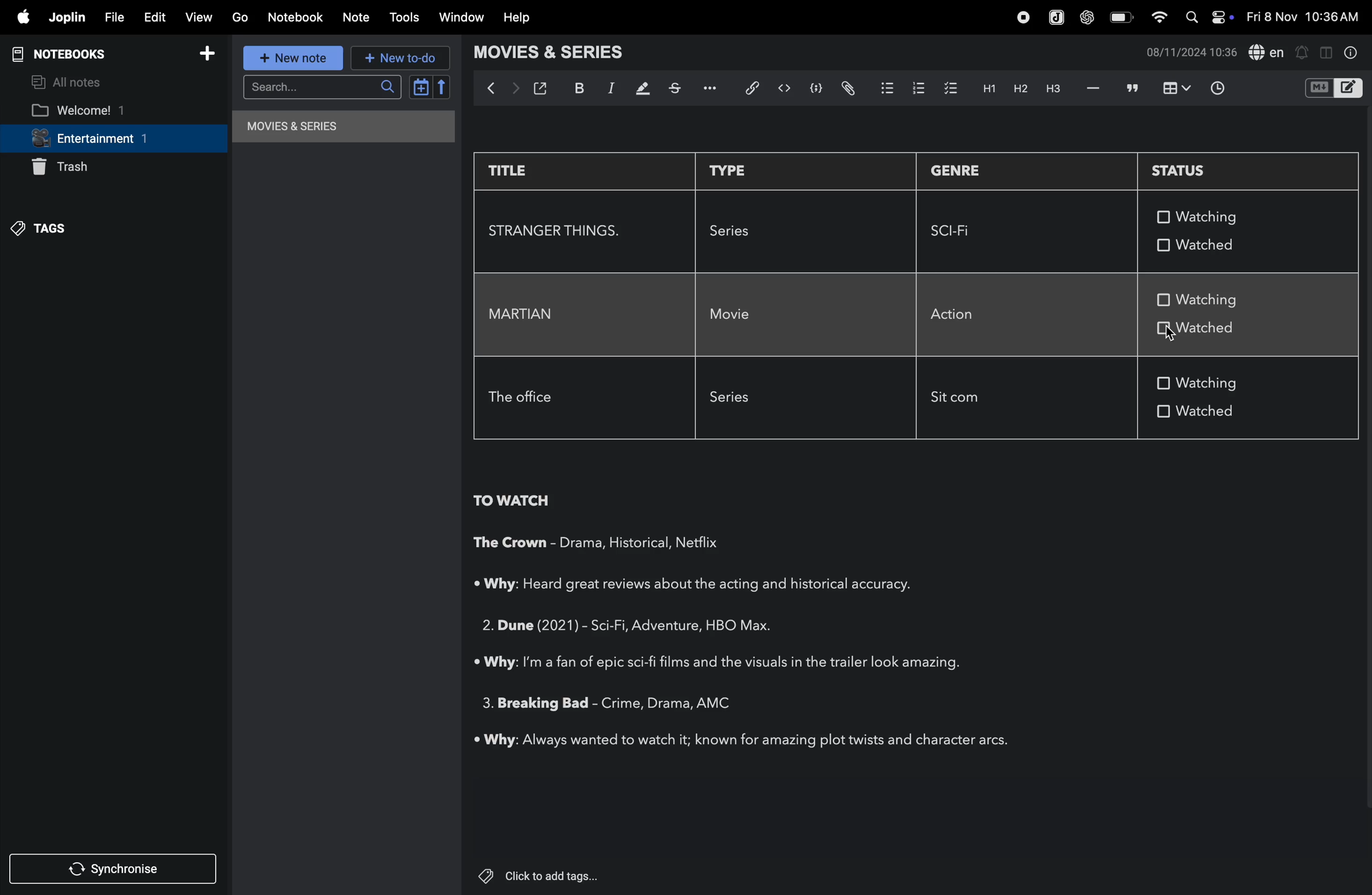 Image resolution: width=1372 pixels, height=895 pixels. Describe the element at coordinates (522, 171) in the screenshot. I see `title` at that location.